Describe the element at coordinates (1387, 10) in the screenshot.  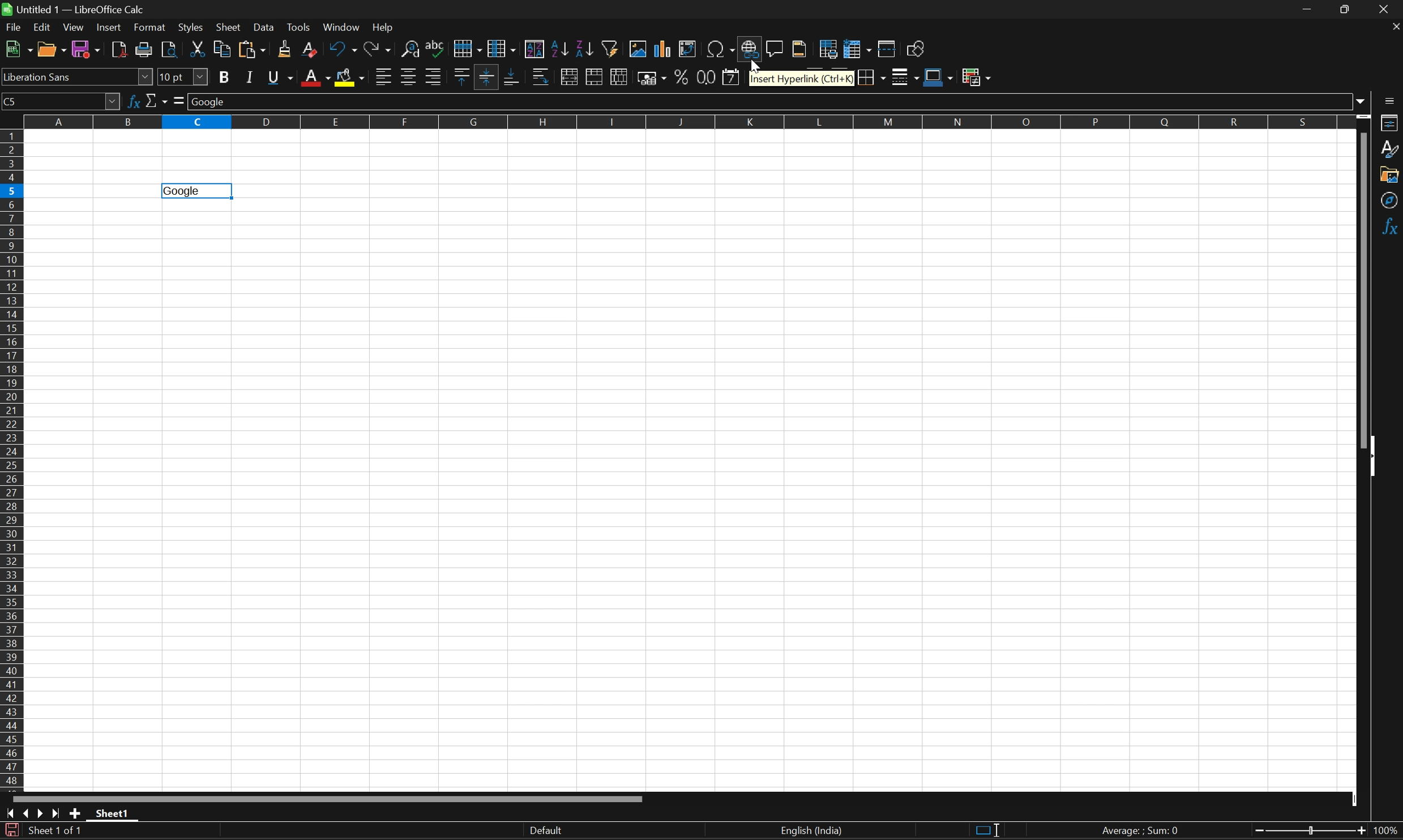
I see `Close` at that location.